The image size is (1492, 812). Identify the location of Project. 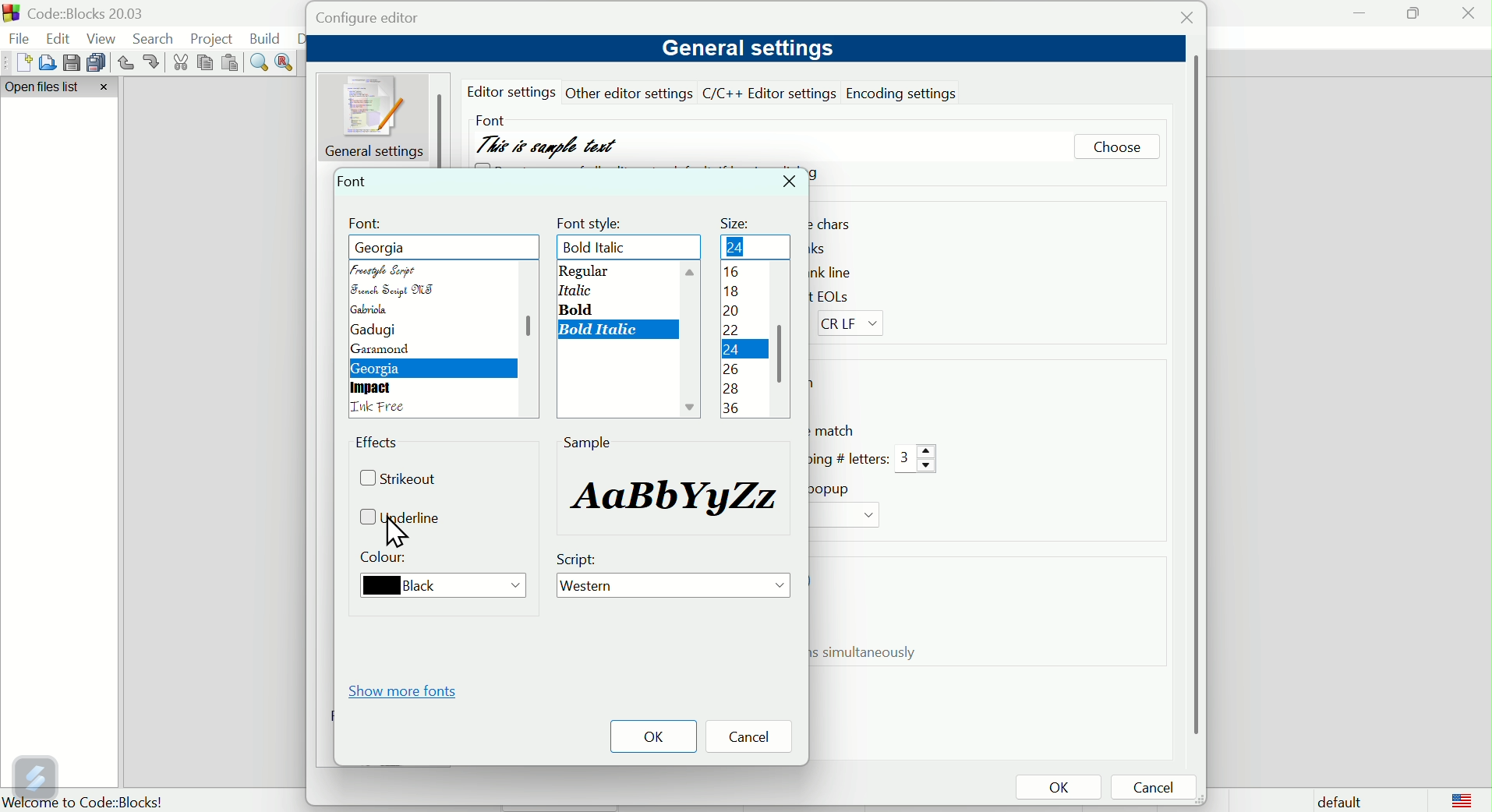
(214, 38).